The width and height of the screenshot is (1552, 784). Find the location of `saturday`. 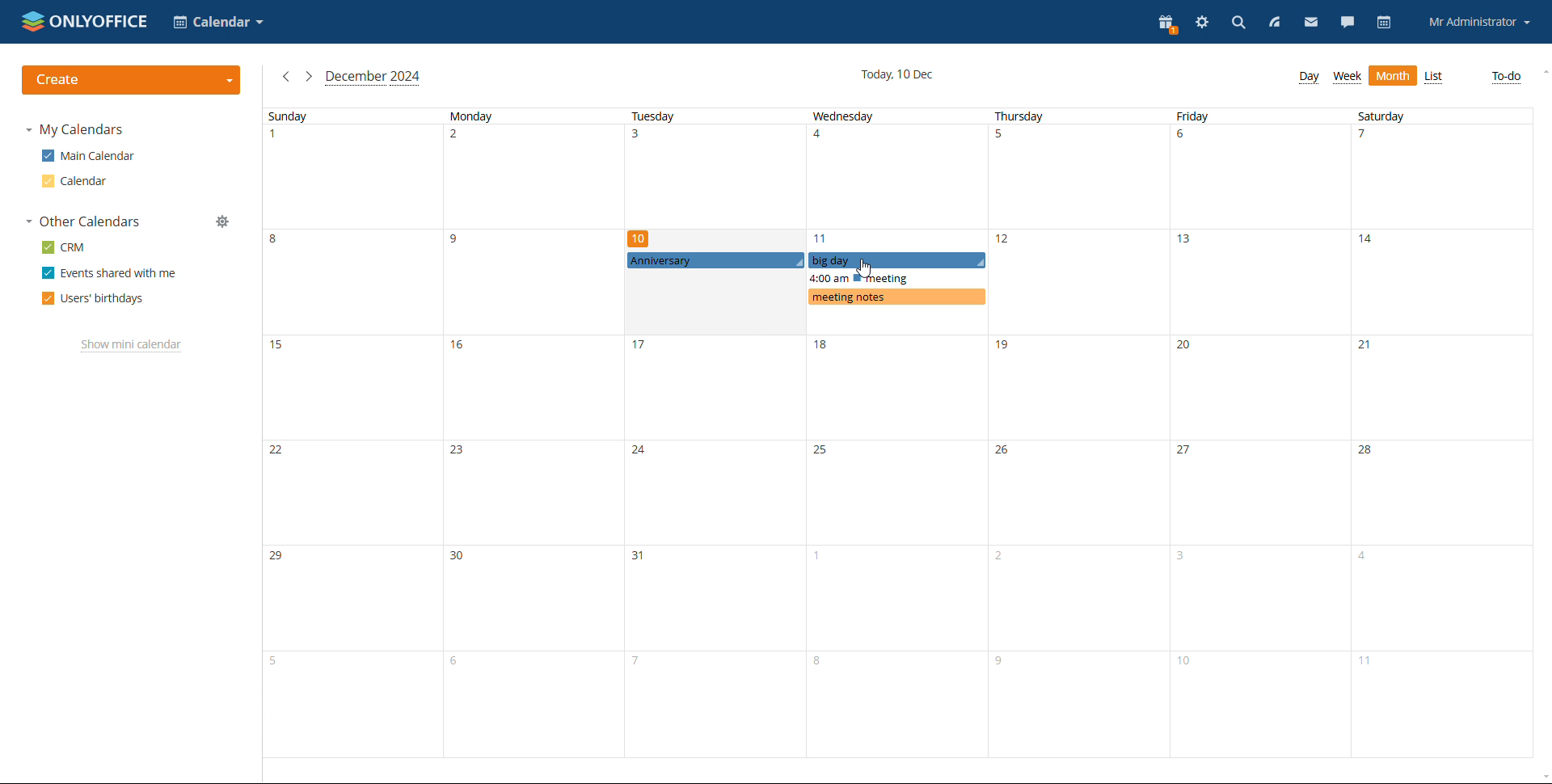

saturday is located at coordinates (1440, 434).